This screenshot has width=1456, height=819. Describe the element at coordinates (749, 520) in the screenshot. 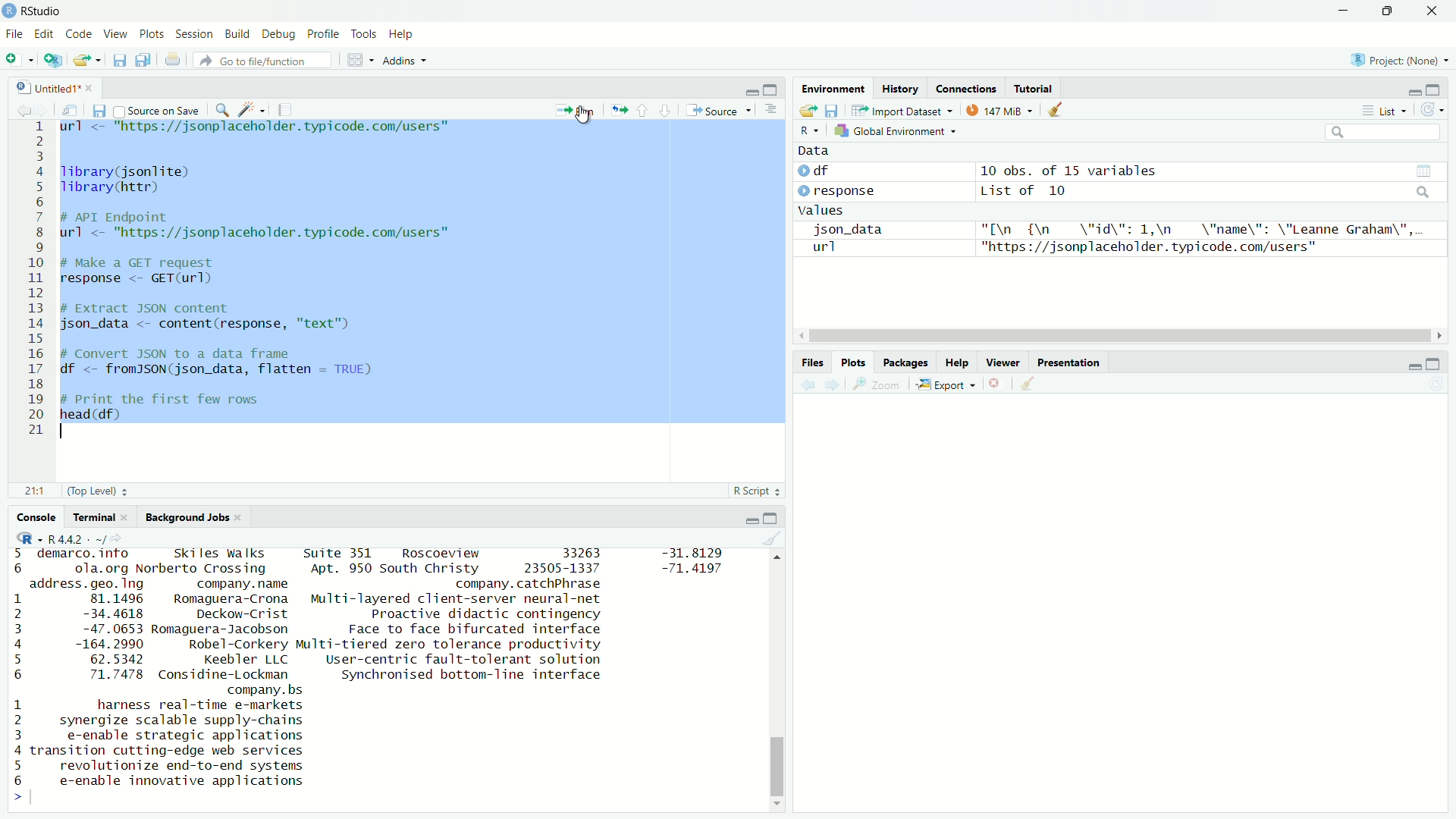

I see `Minimize` at that location.